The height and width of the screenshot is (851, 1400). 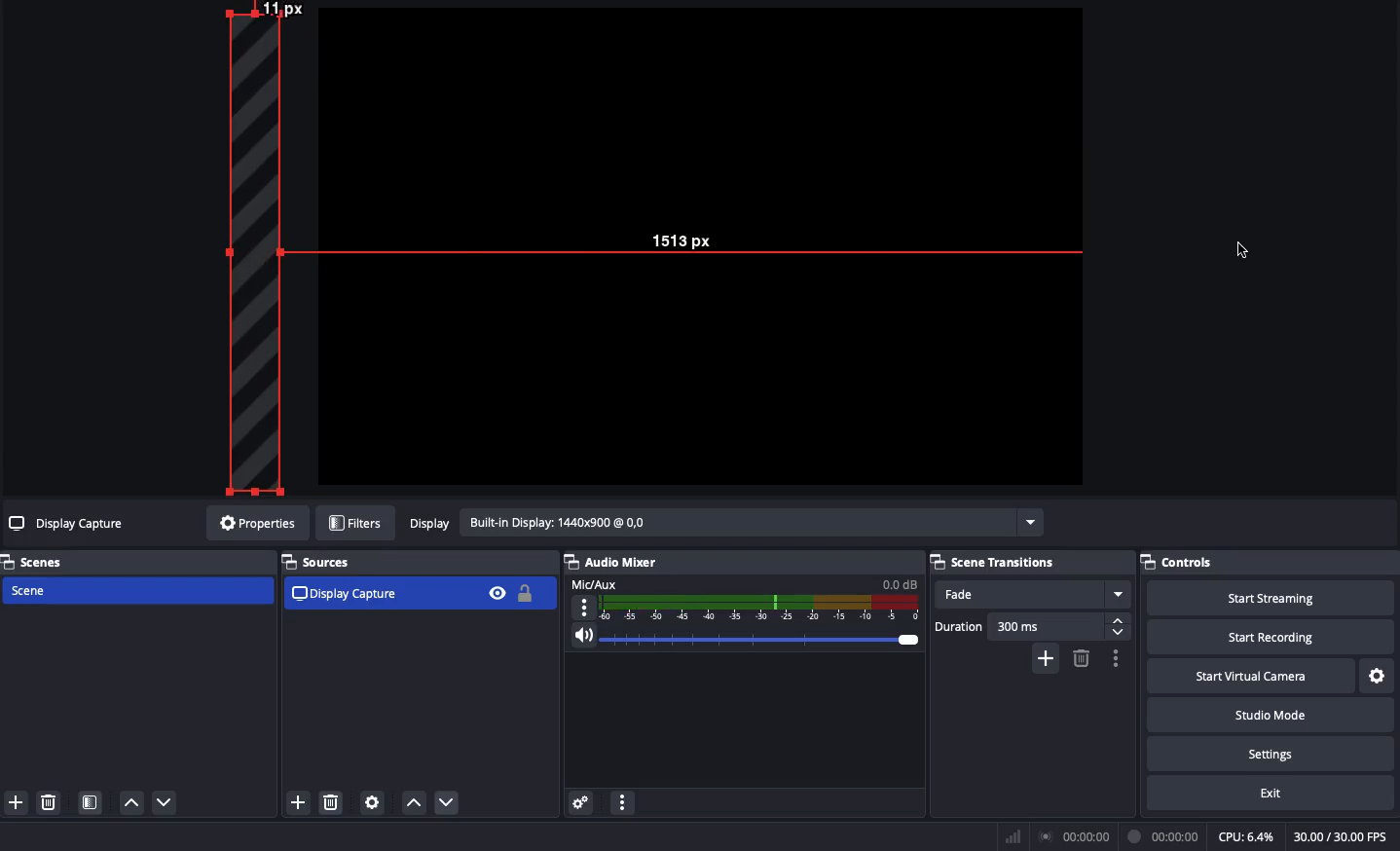 What do you see at coordinates (297, 804) in the screenshot?
I see `Add` at bounding box center [297, 804].